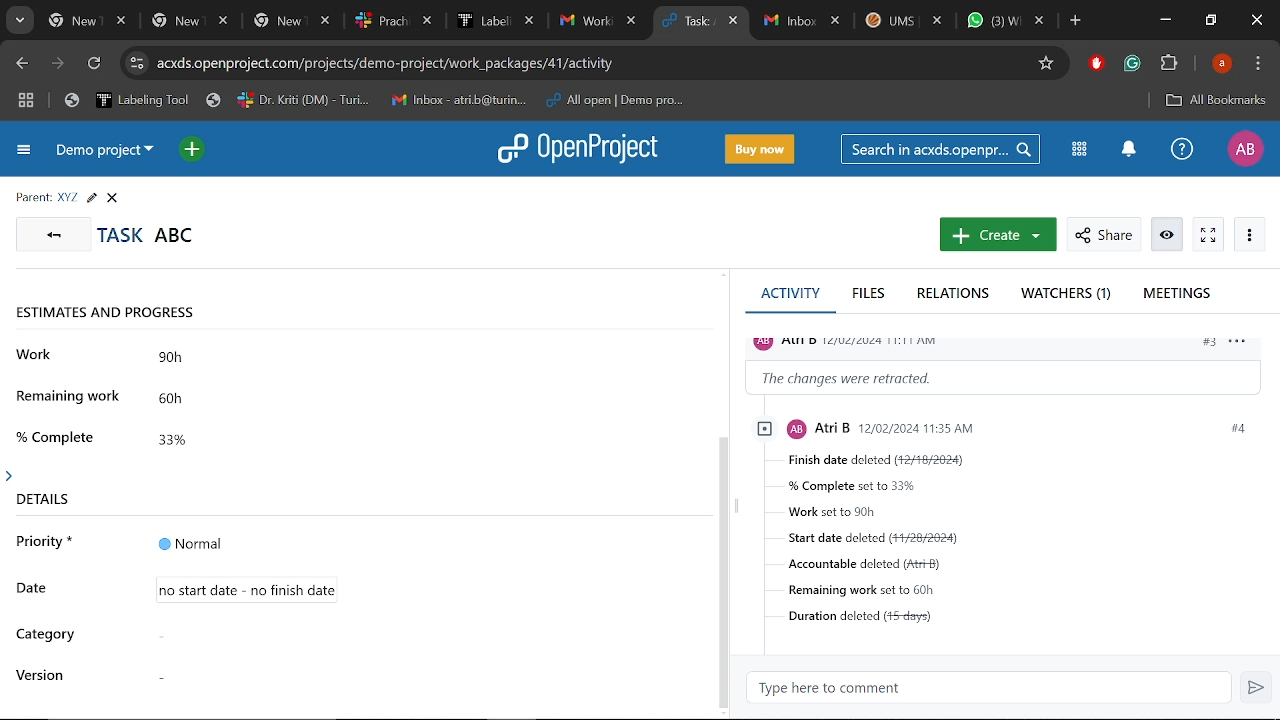  Describe the element at coordinates (789, 298) in the screenshot. I see `Activity` at that location.